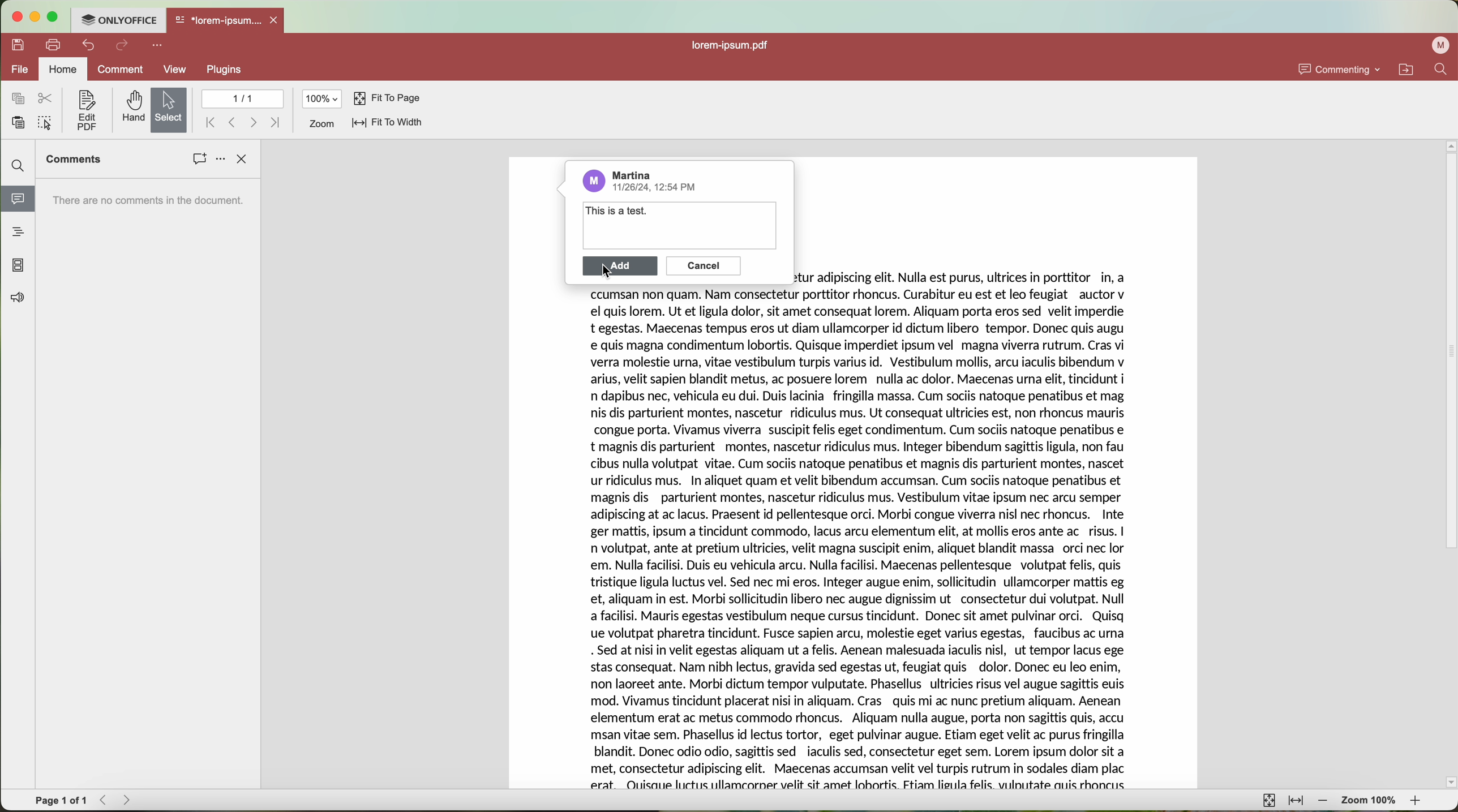 This screenshot has width=1458, height=812. What do you see at coordinates (158, 46) in the screenshot?
I see `more options` at bounding box center [158, 46].